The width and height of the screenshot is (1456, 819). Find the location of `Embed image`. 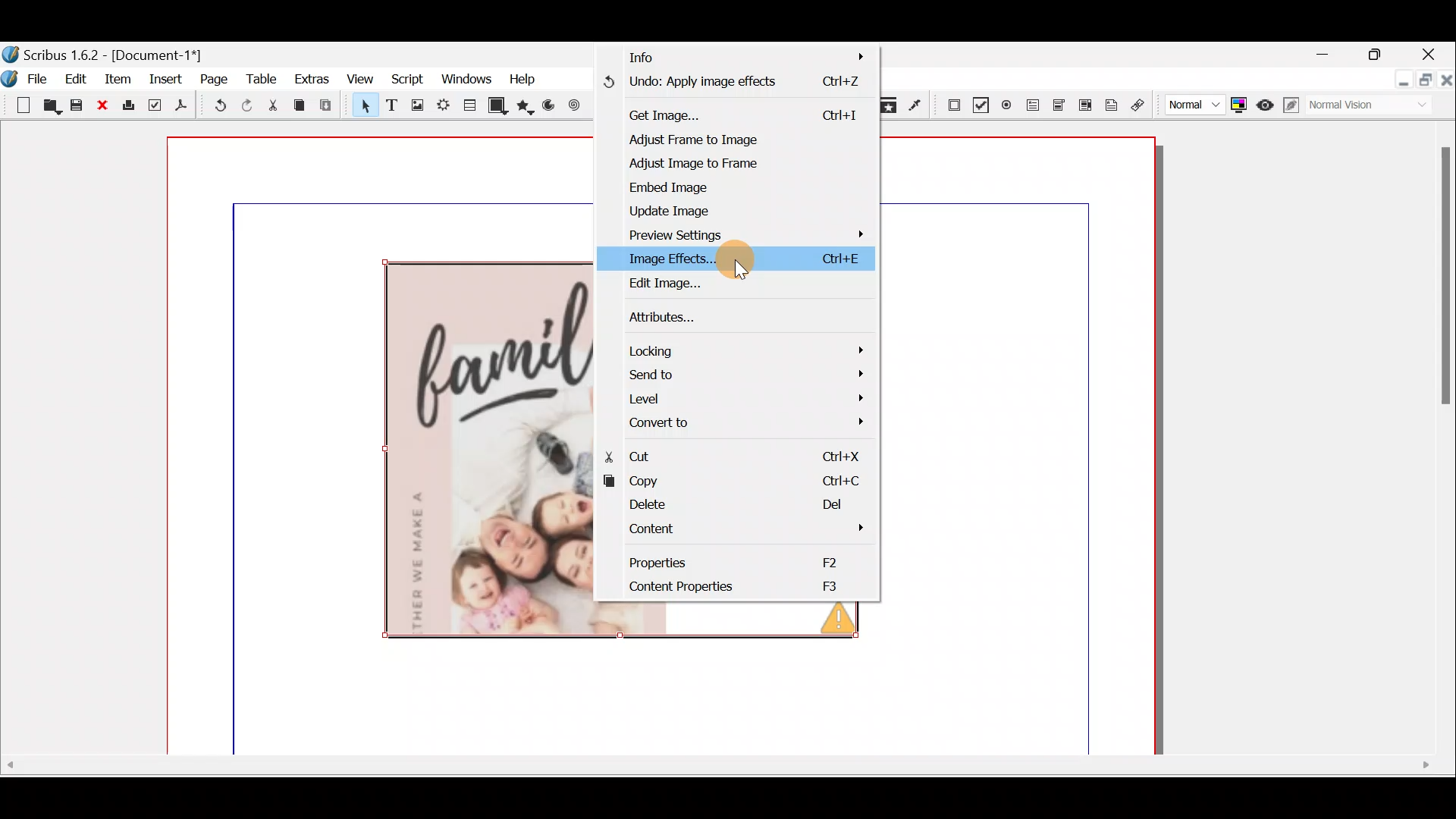

Embed image is located at coordinates (677, 187).